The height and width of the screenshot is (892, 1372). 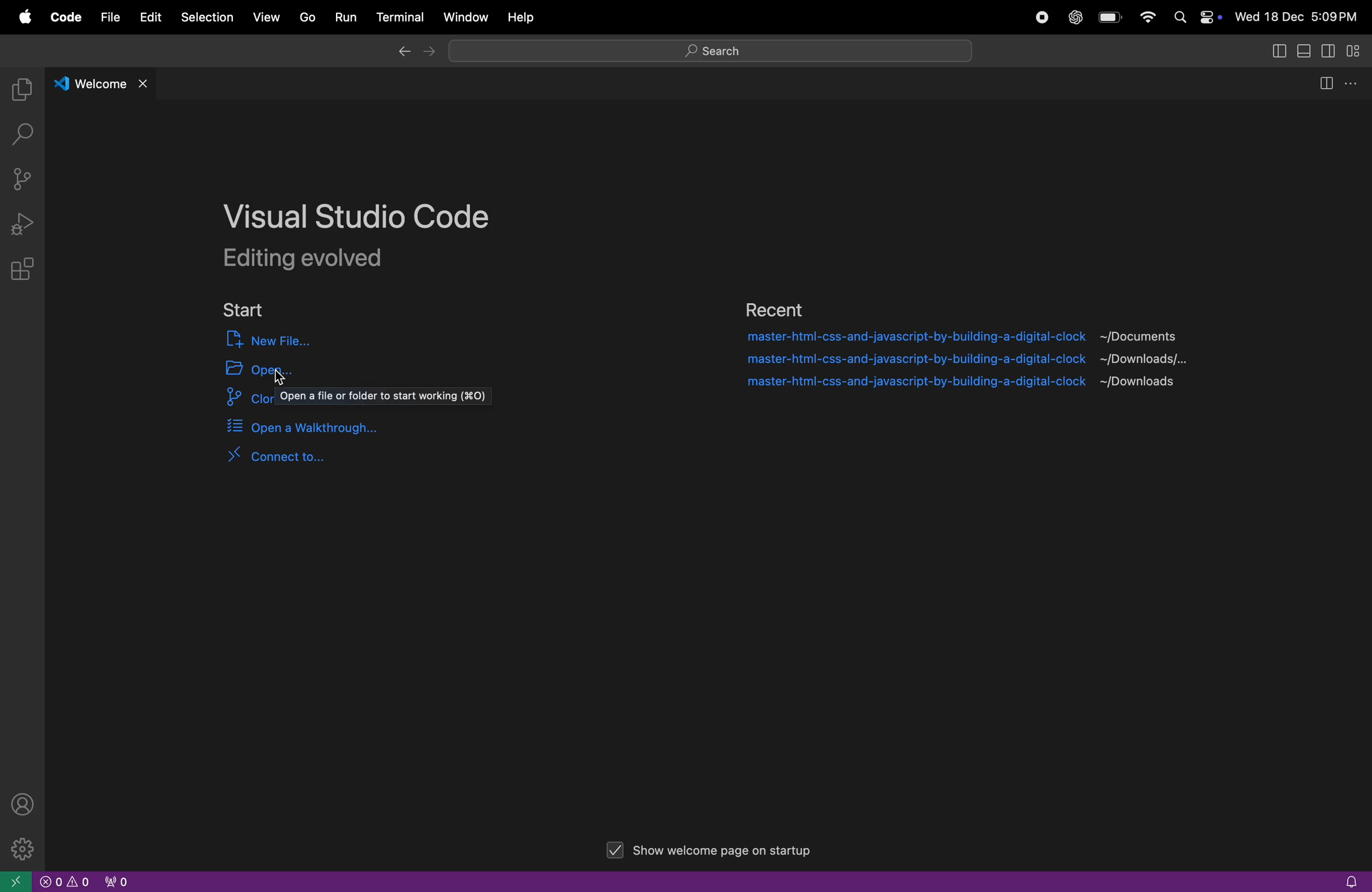 I want to click on file, so click(x=964, y=358).